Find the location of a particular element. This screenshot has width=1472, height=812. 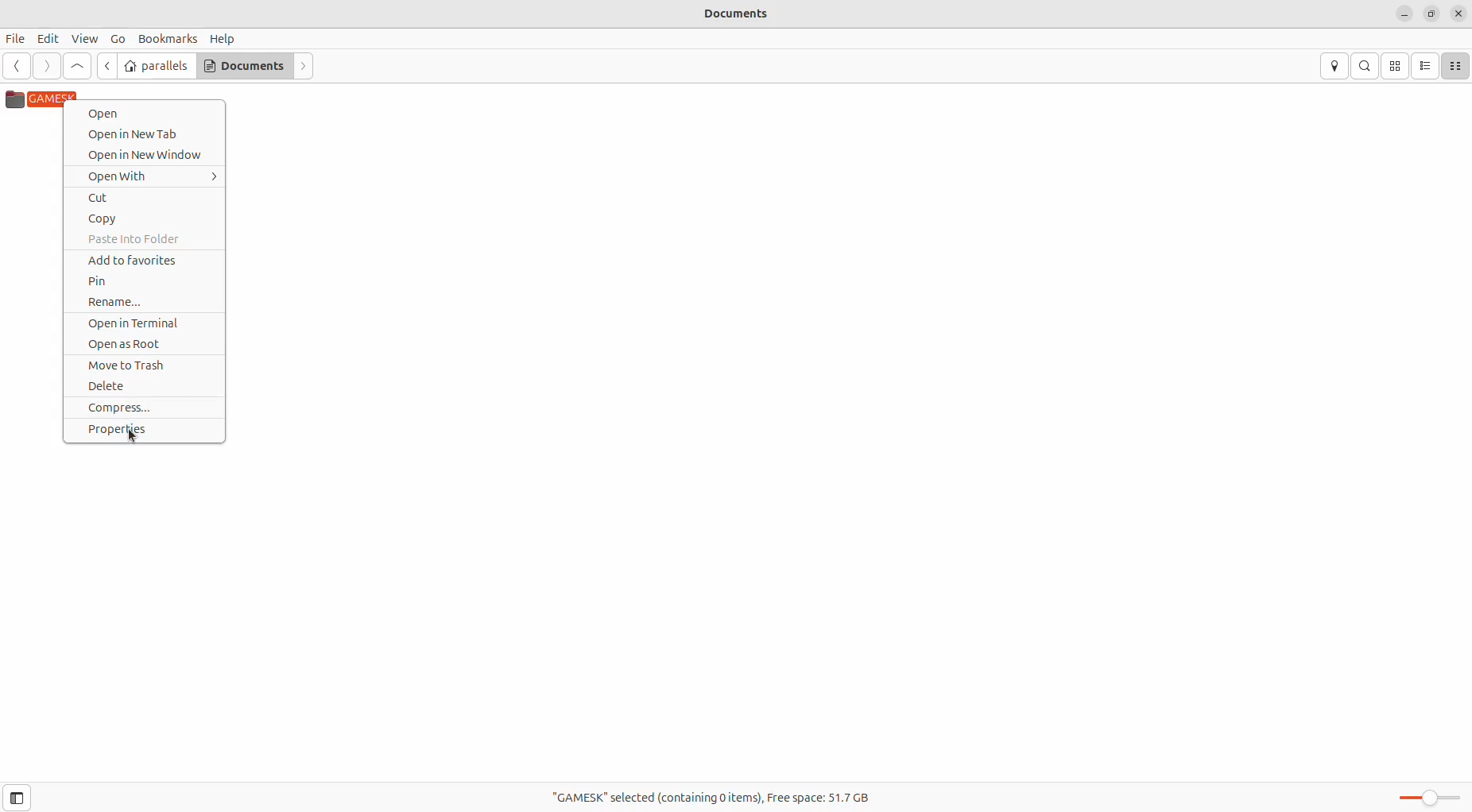

add to favourites is located at coordinates (142, 261).